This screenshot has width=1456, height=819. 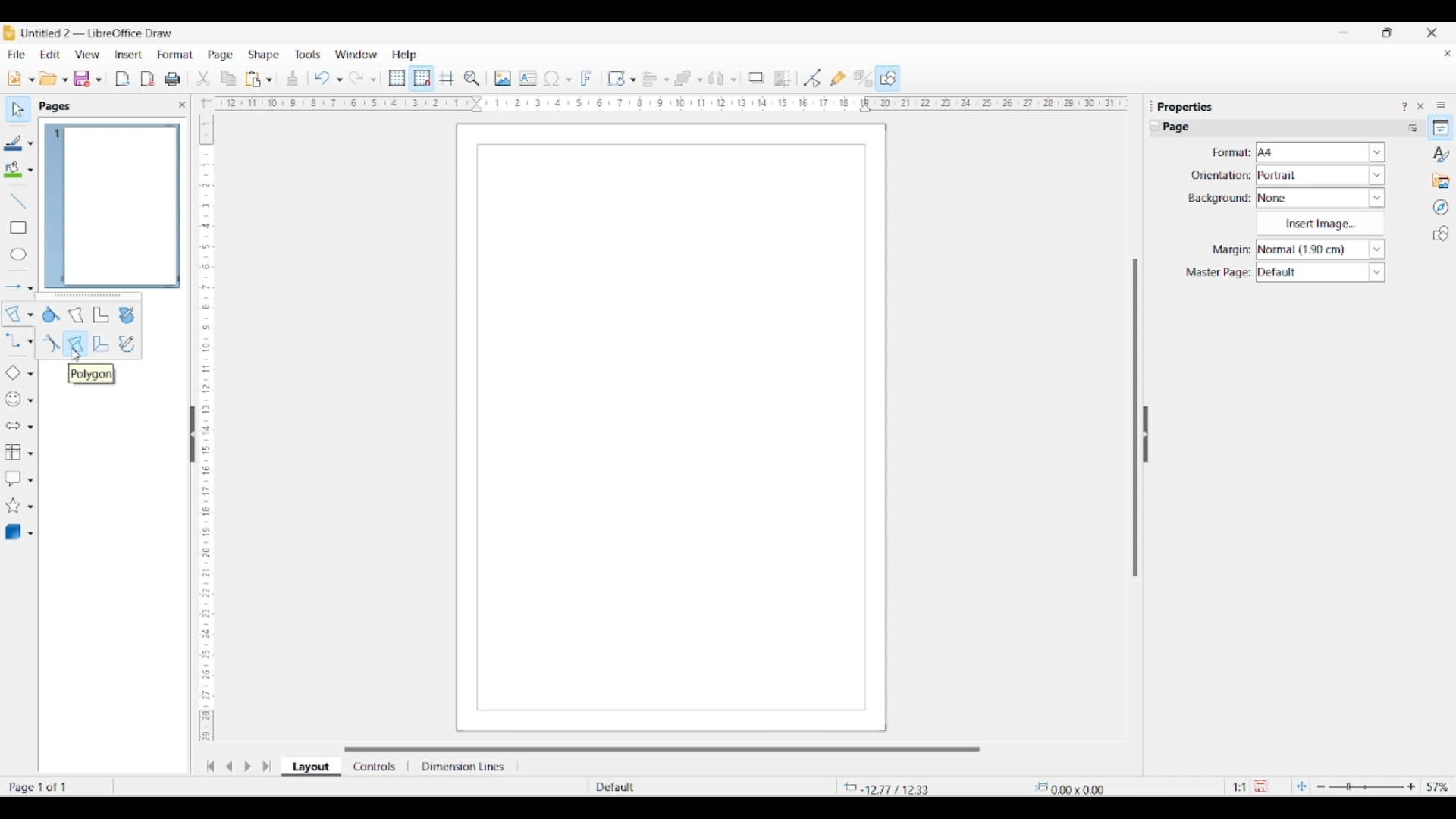 I want to click on Click to save modifications, so click(x=1260, y=786).